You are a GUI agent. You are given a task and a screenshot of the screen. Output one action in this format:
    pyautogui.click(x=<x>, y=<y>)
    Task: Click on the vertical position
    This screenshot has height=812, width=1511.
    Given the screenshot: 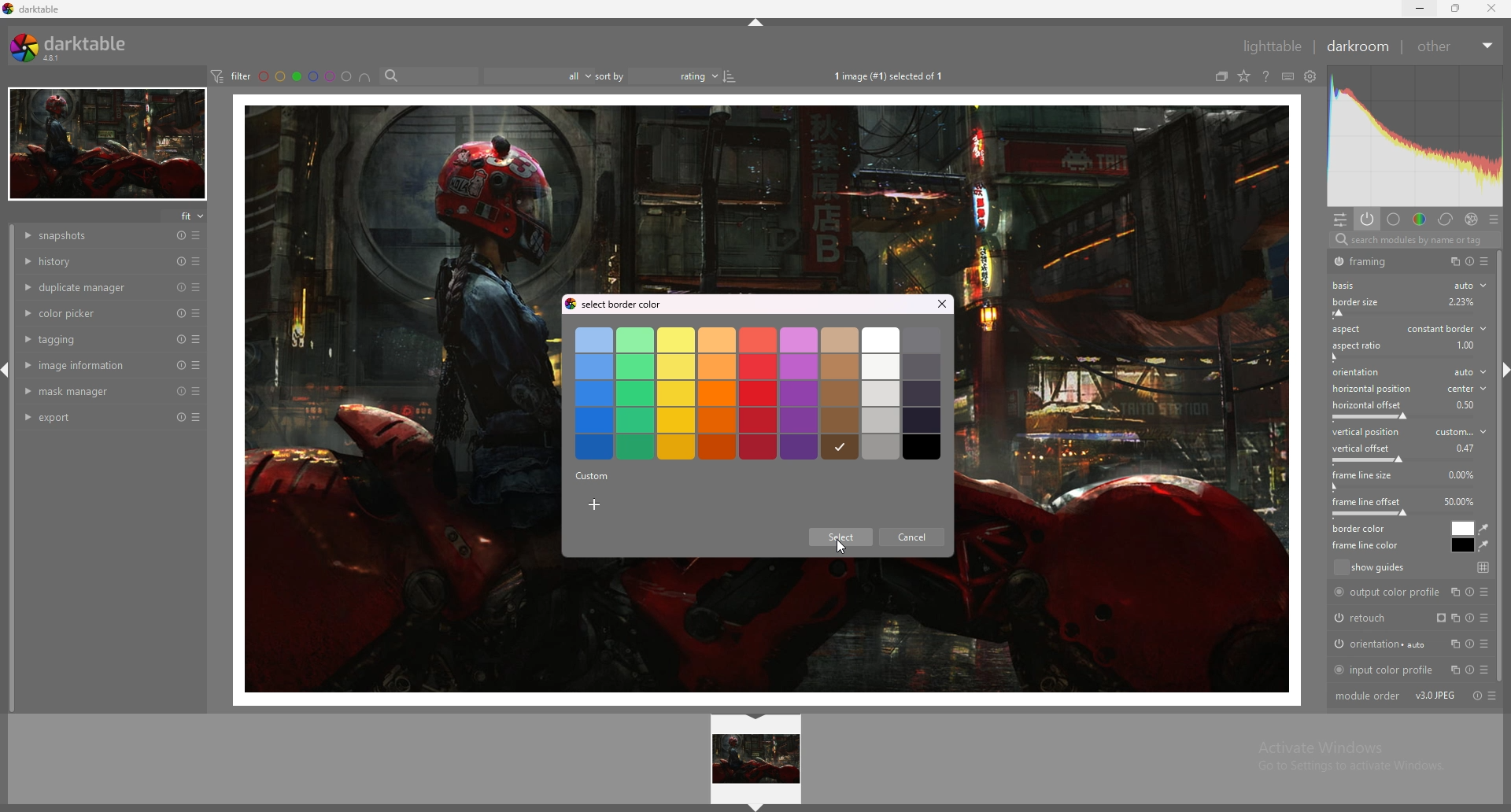 What is the action you would take?
    pyautogui.click(x=1409, y=431)
    